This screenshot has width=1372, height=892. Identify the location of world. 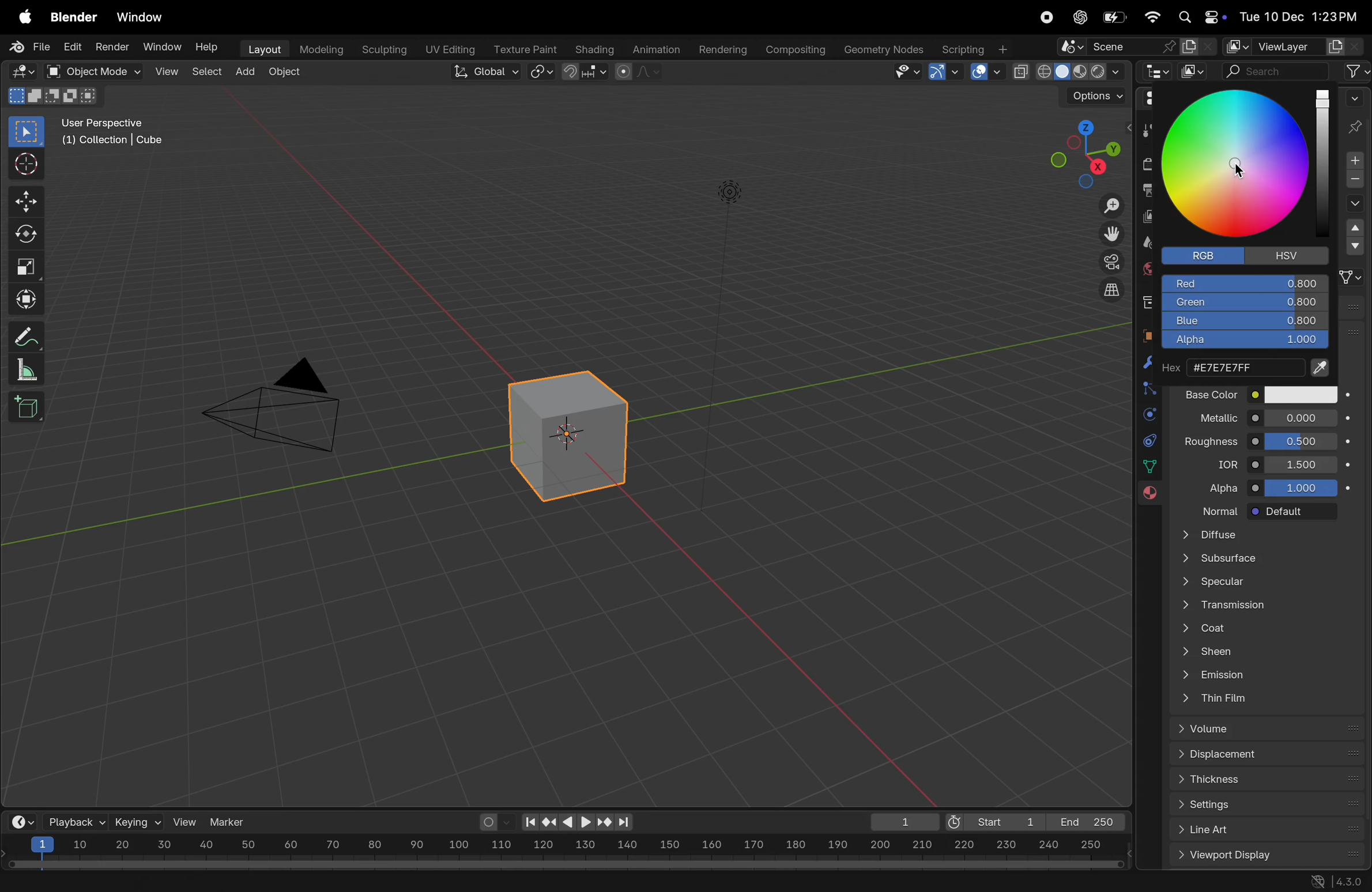
(1147, 267).